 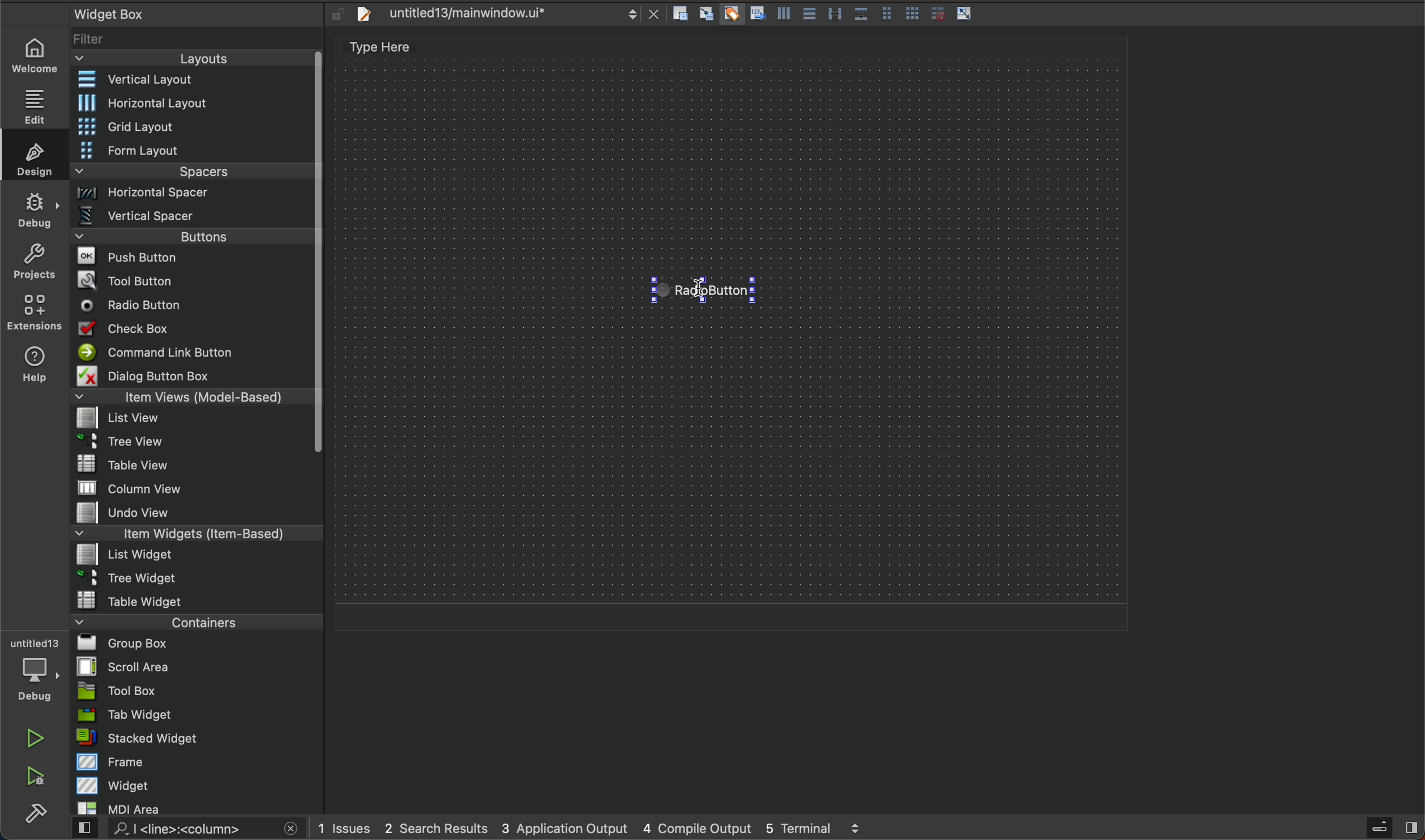 What do you see at coordinates (196, 806) in the screenshot?
I see `mdi area` at bounding box center [196, 806].